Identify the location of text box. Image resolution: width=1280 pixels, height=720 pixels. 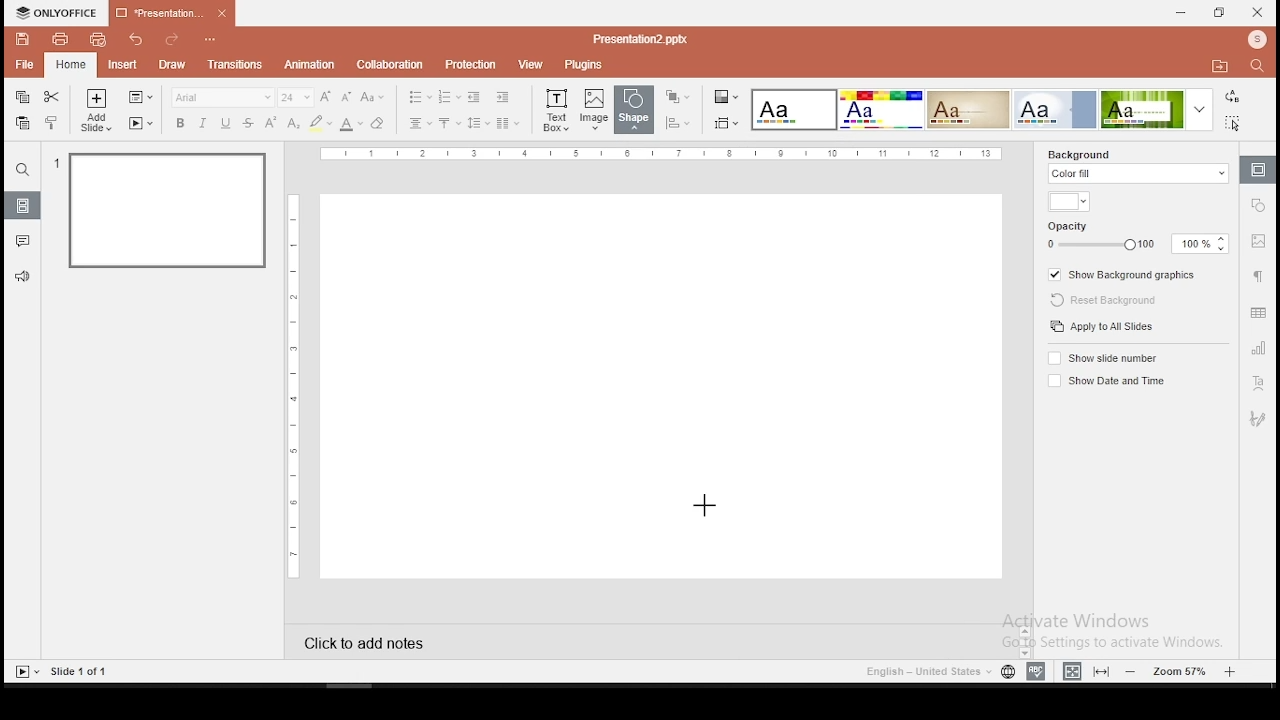
(555, 109).